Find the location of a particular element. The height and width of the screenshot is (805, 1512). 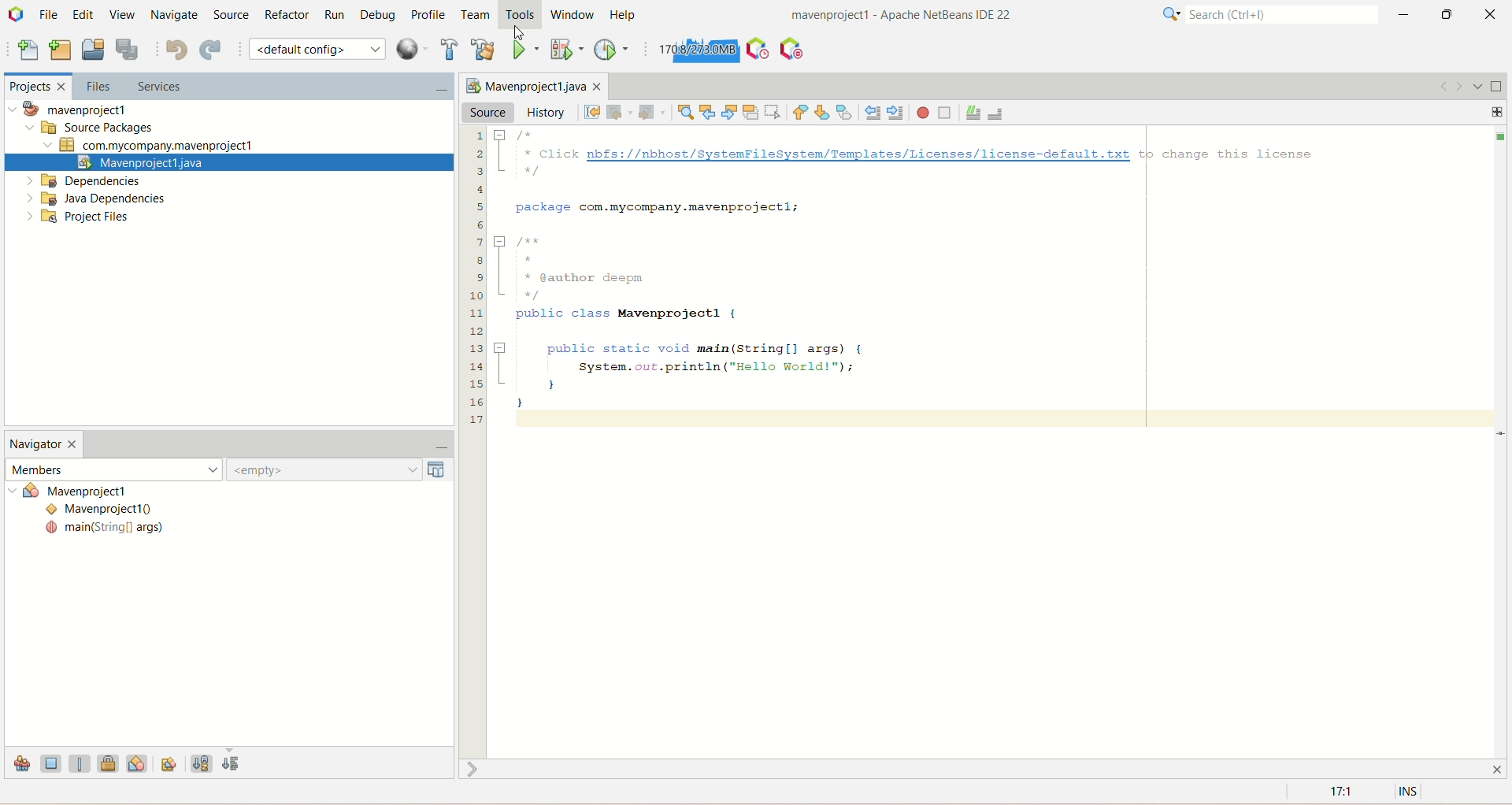

INS is located at coordinates (1410, 792).